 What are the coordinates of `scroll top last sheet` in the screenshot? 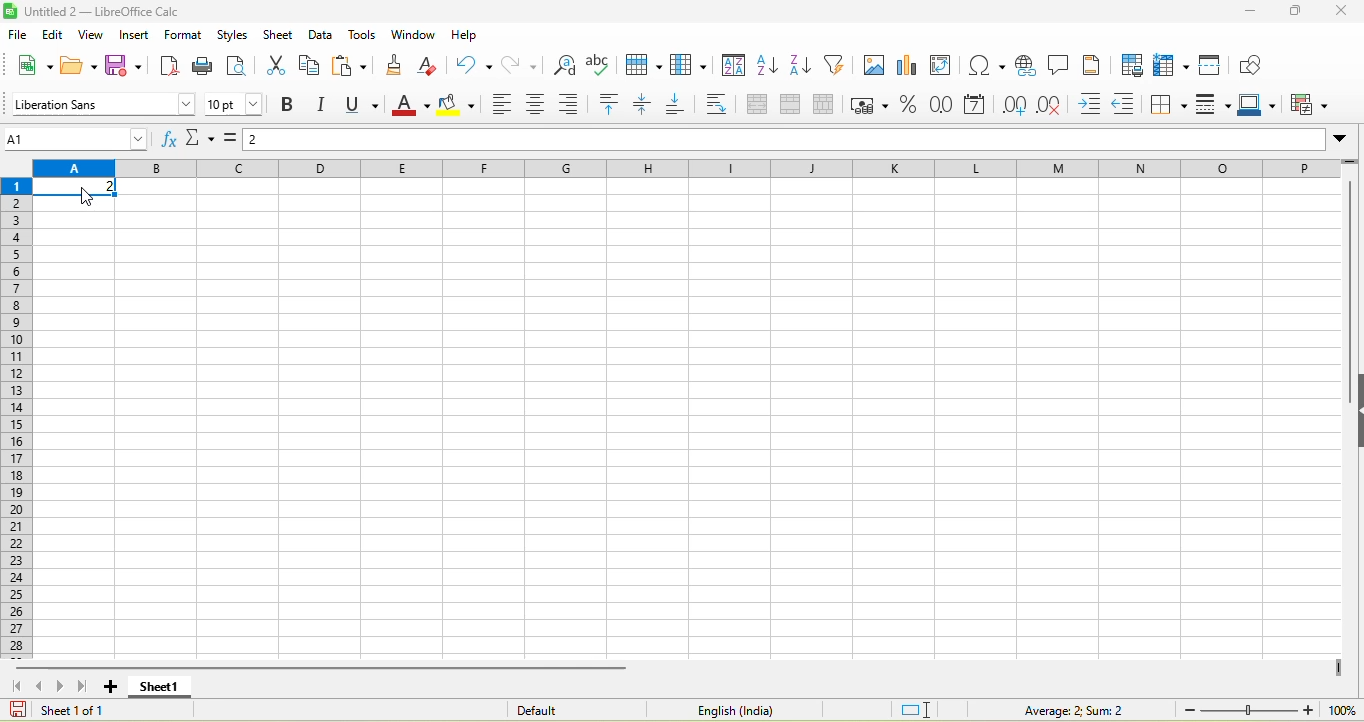 It's located at (86, 685).